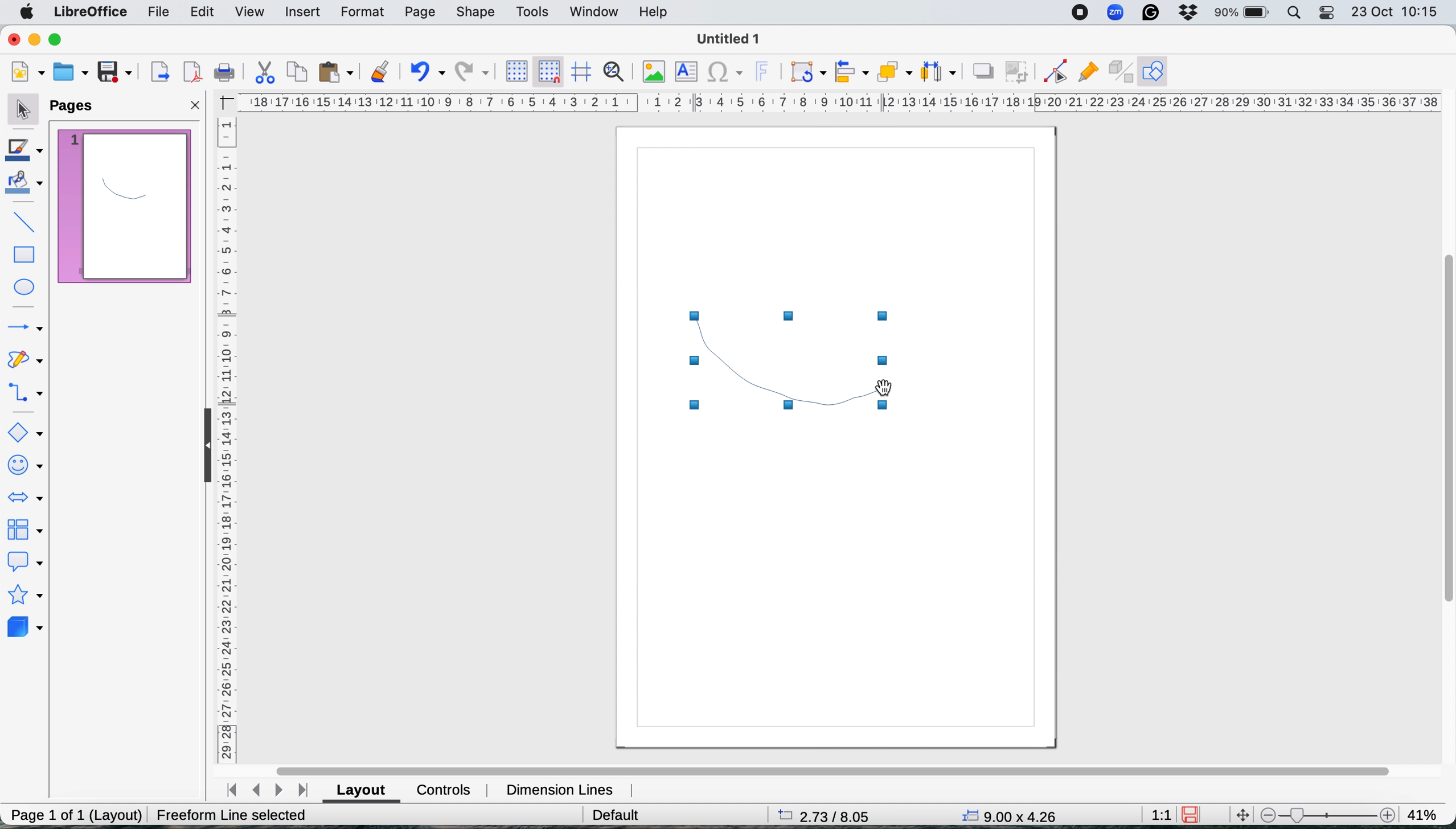 The width and height of the screenshot is (1456, 829). What do you see at coordinates (228, 441) in the screenshot?
I see `vertical scale` at bounding box center [228, 441].